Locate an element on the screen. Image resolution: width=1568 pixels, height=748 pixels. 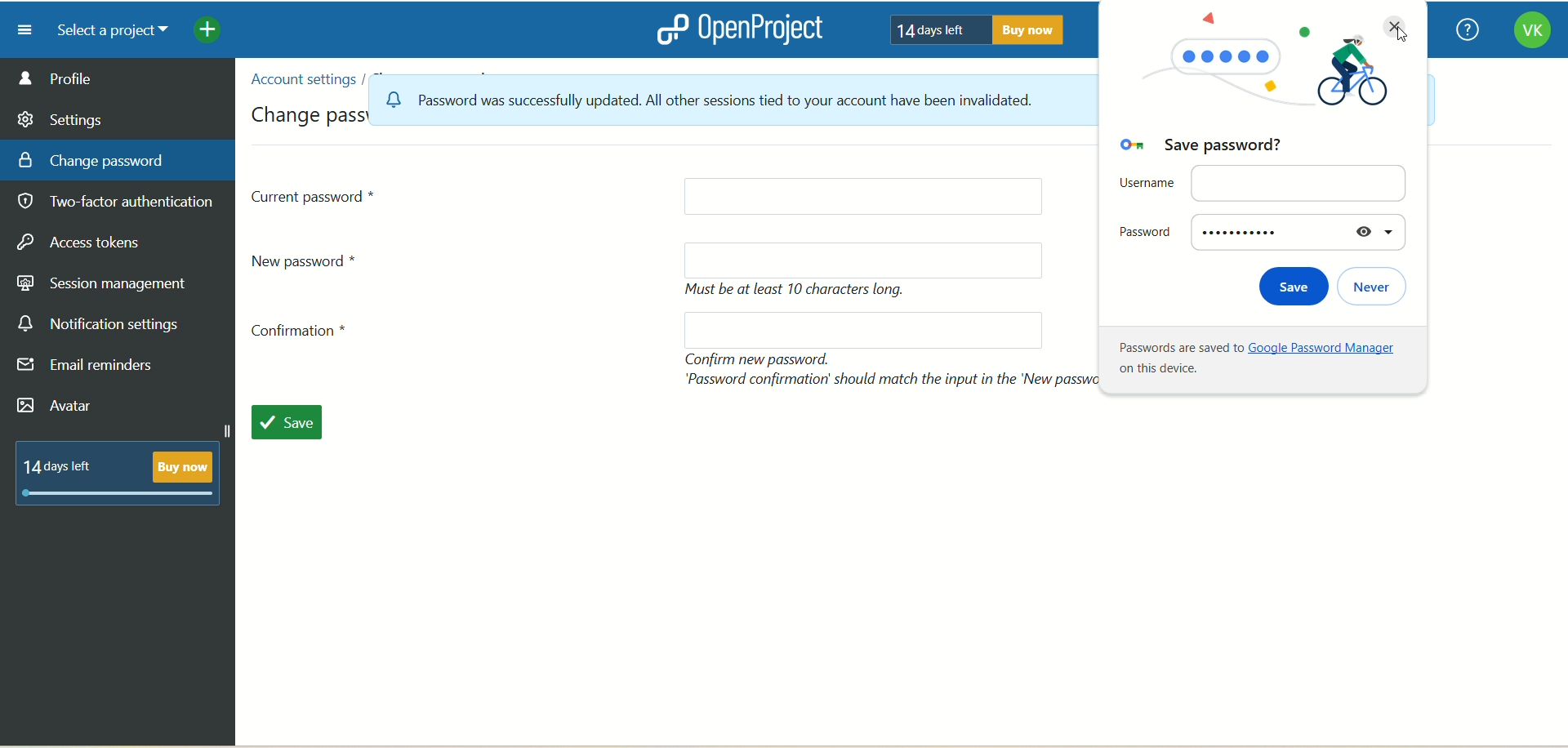
cursor is located at coordinates (1405, 39).